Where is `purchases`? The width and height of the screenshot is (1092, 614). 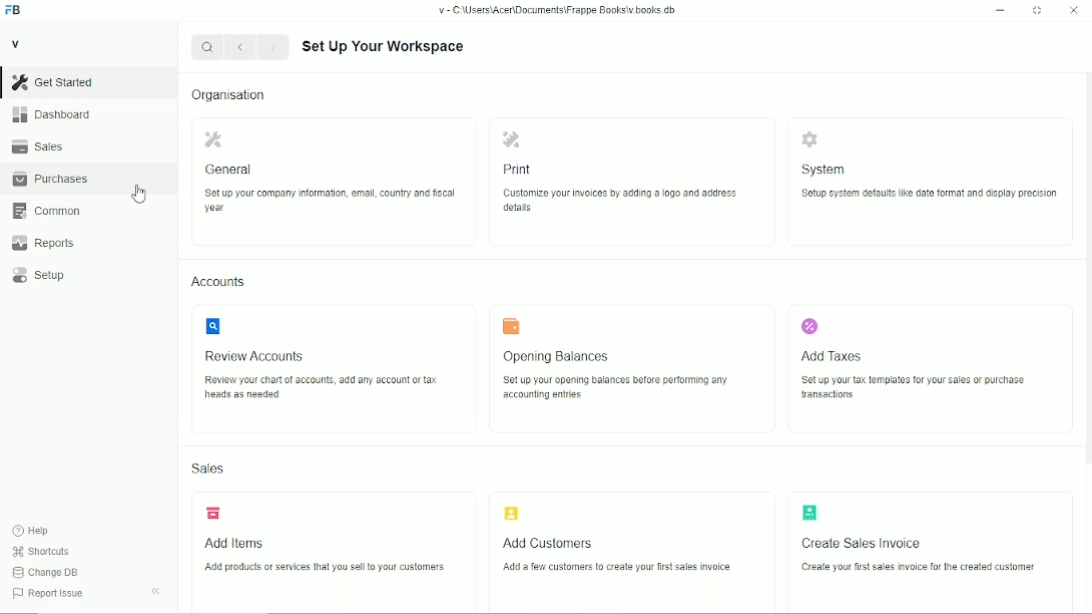
purchases is located at coordinates (51, 179).